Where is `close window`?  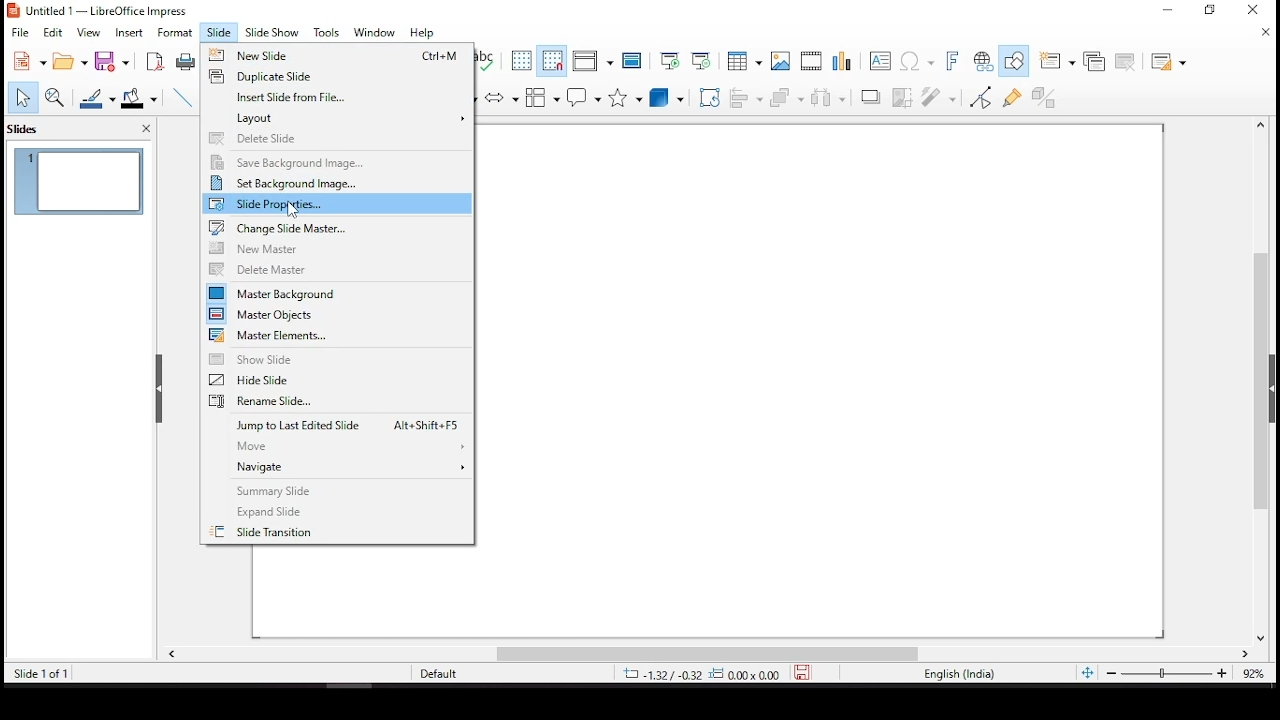
close window is located at coordinates (1258, 11).